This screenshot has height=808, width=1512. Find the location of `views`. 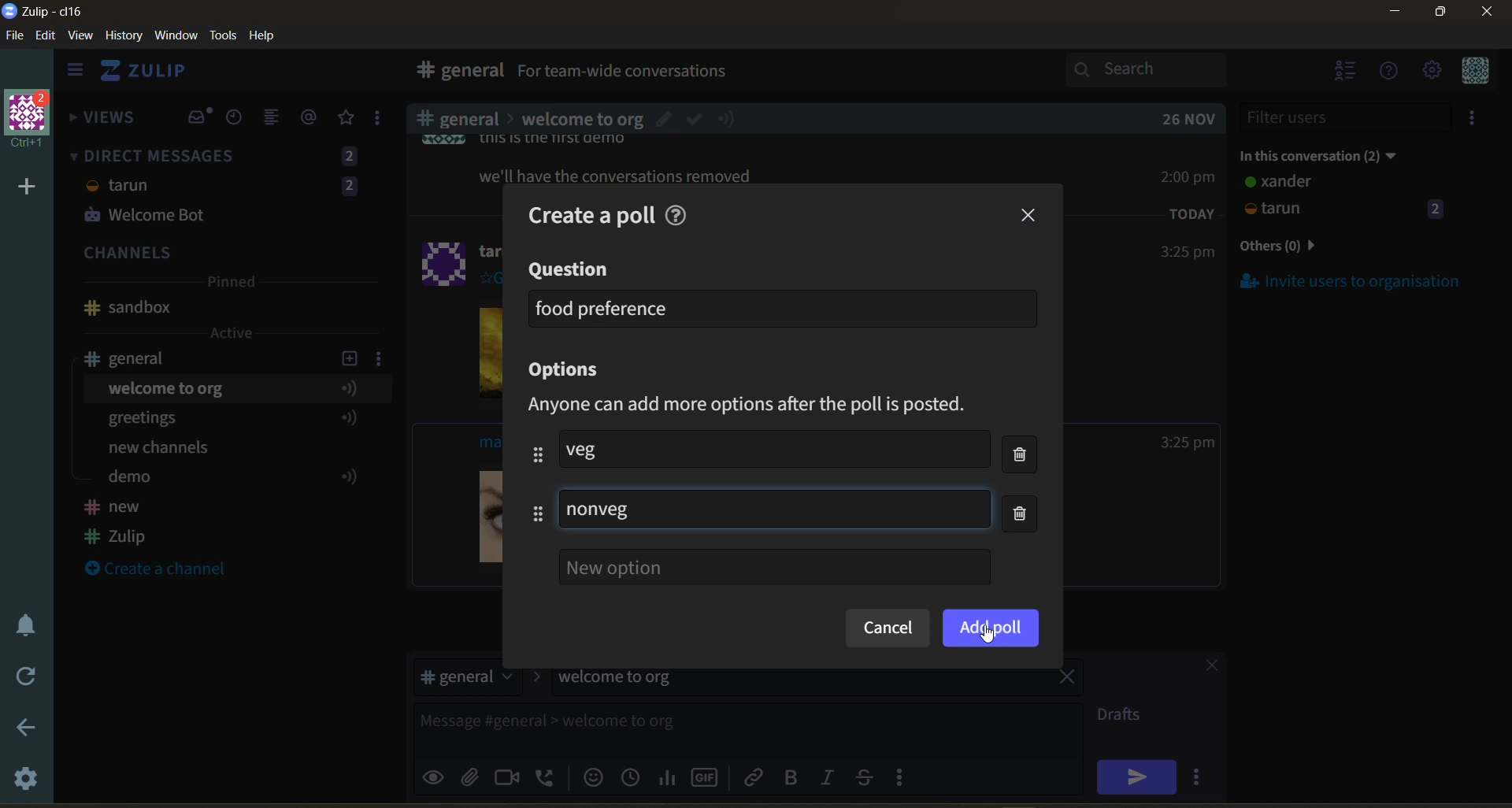

views is located at coordinates (103, 122).